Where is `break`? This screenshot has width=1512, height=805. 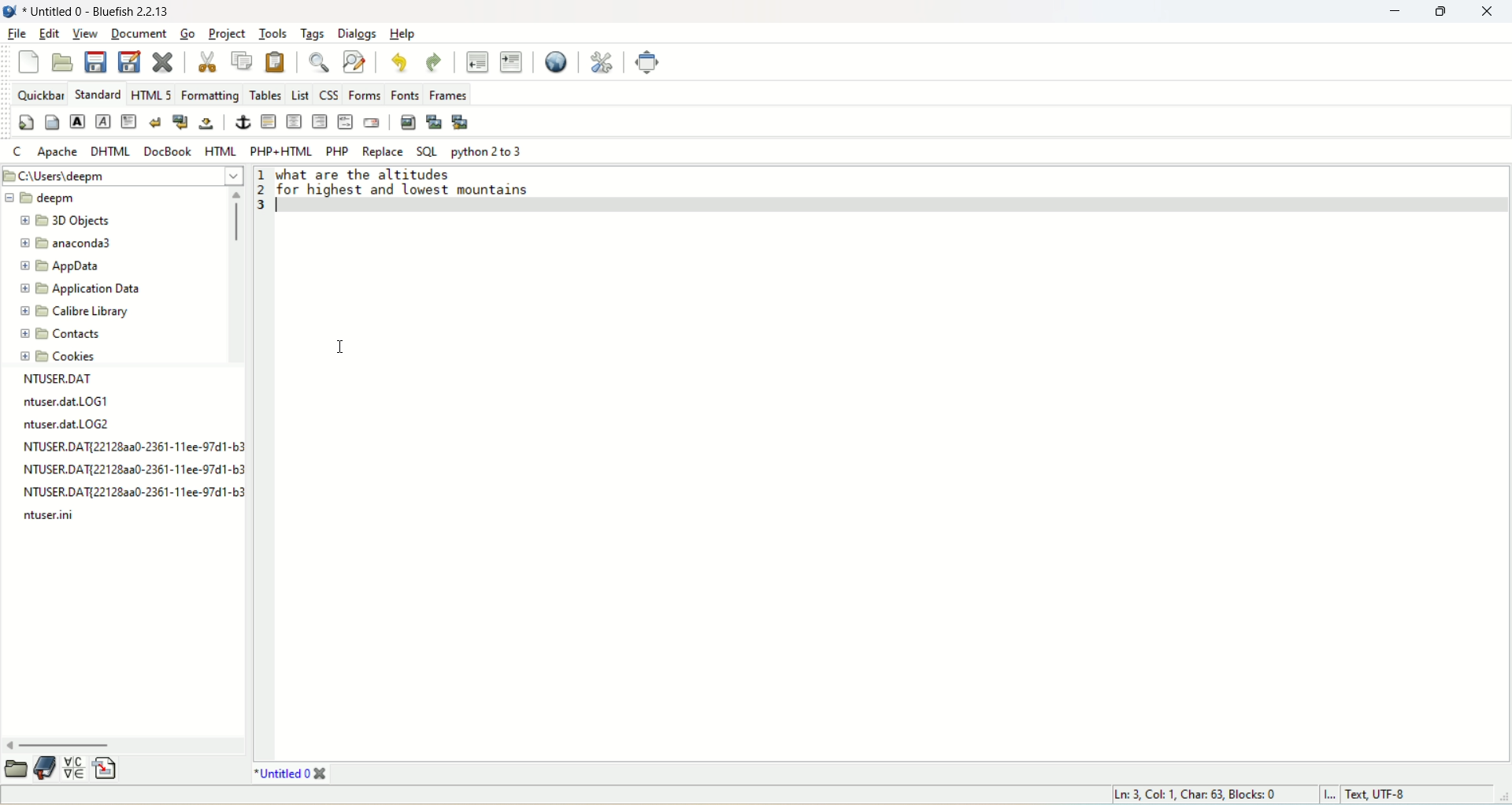
break is located at coordinates (154, 121).